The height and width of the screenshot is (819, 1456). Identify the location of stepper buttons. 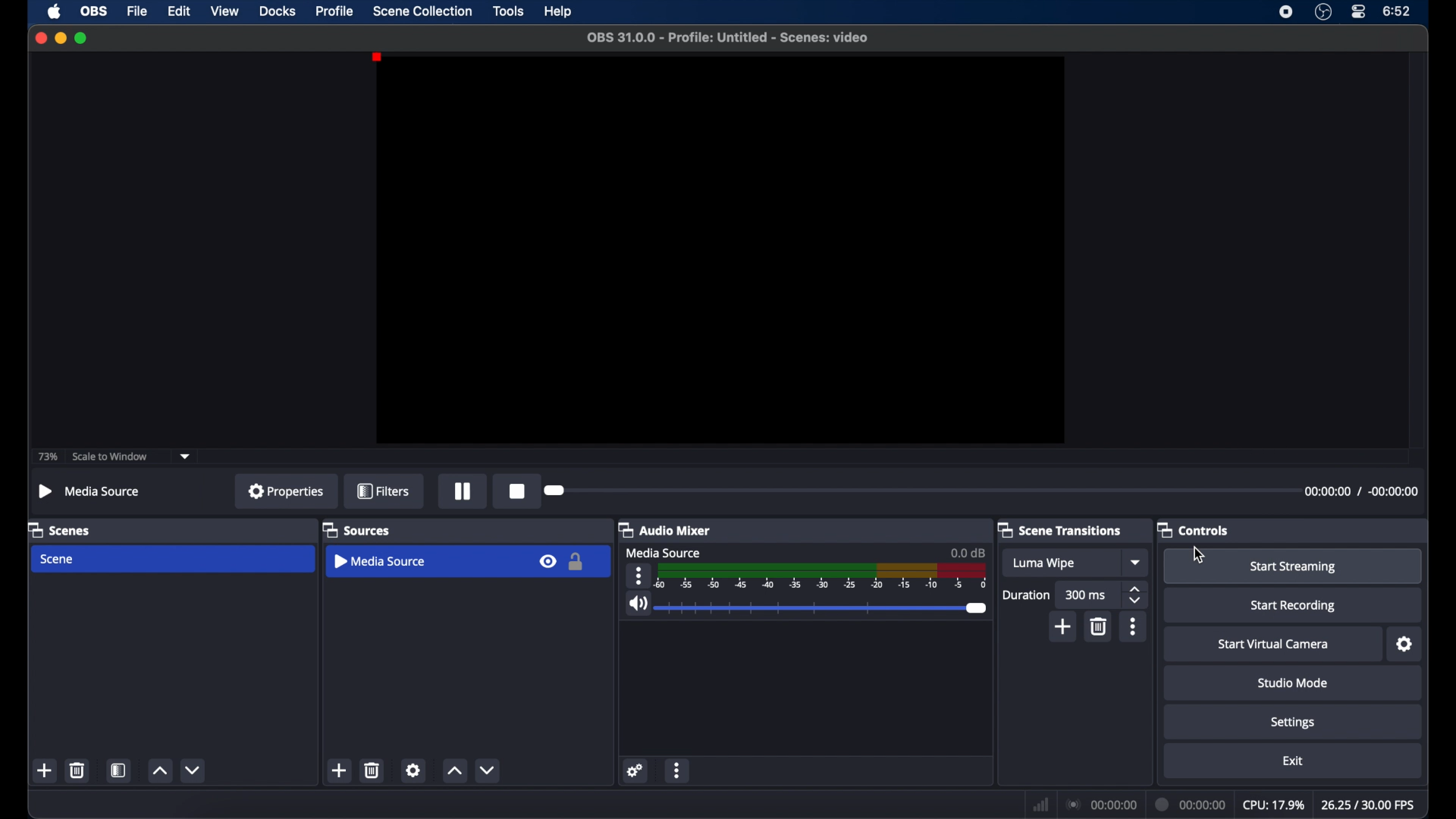
(1136, 595).